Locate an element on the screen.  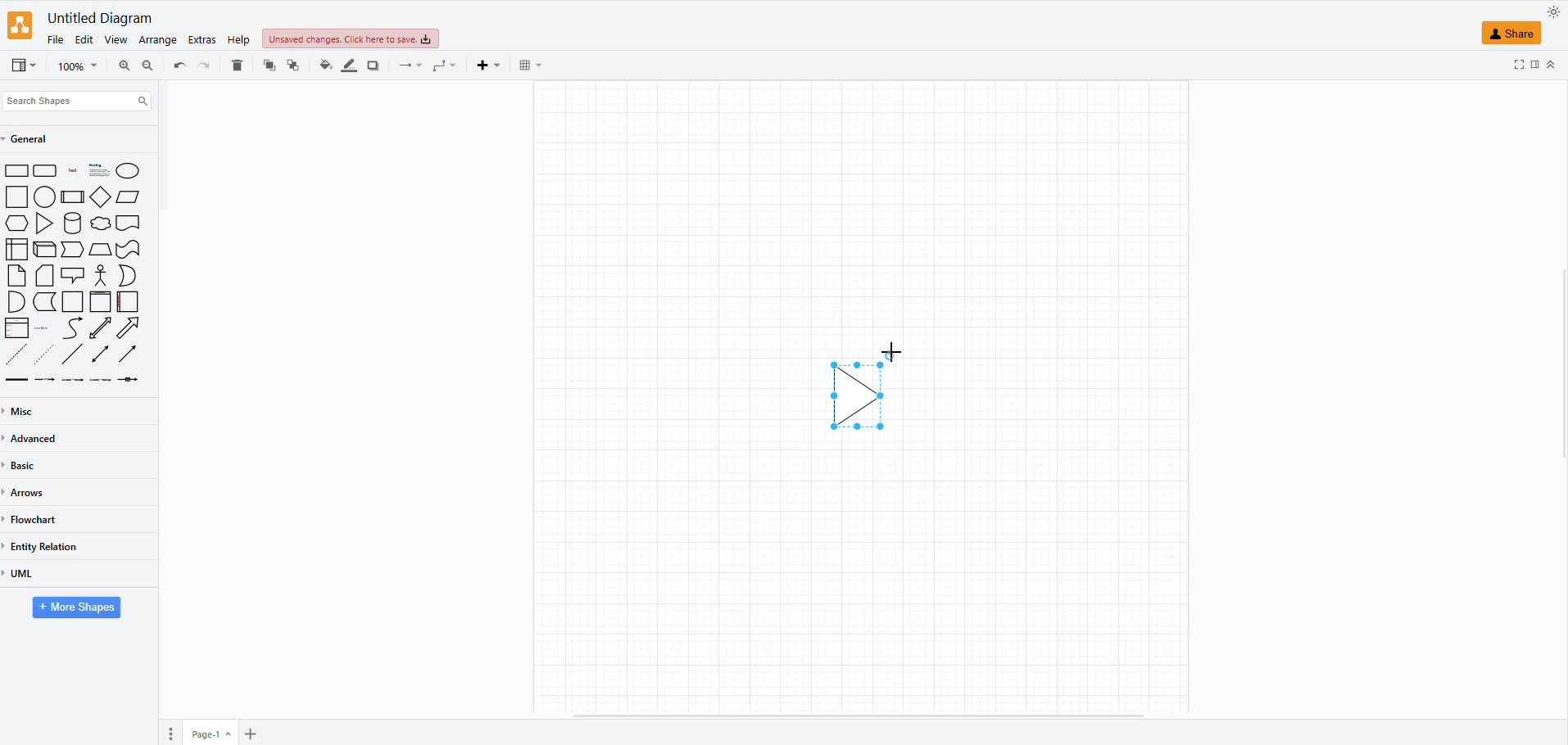
Header is located at coordinates (101, 302).